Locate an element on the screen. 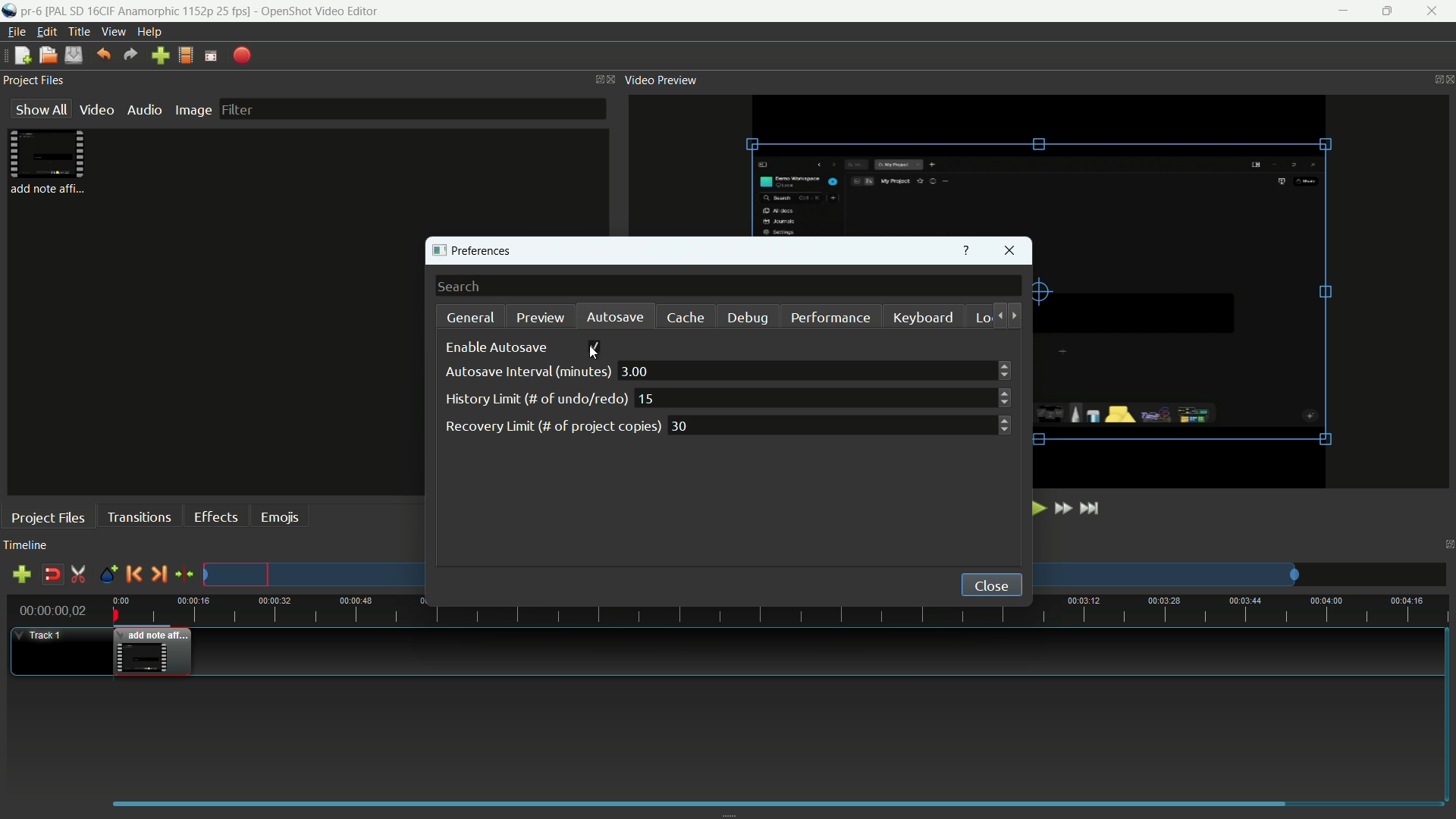 This screenshot has height=819, width=1456. transitions is located at coordinates (139, 518).